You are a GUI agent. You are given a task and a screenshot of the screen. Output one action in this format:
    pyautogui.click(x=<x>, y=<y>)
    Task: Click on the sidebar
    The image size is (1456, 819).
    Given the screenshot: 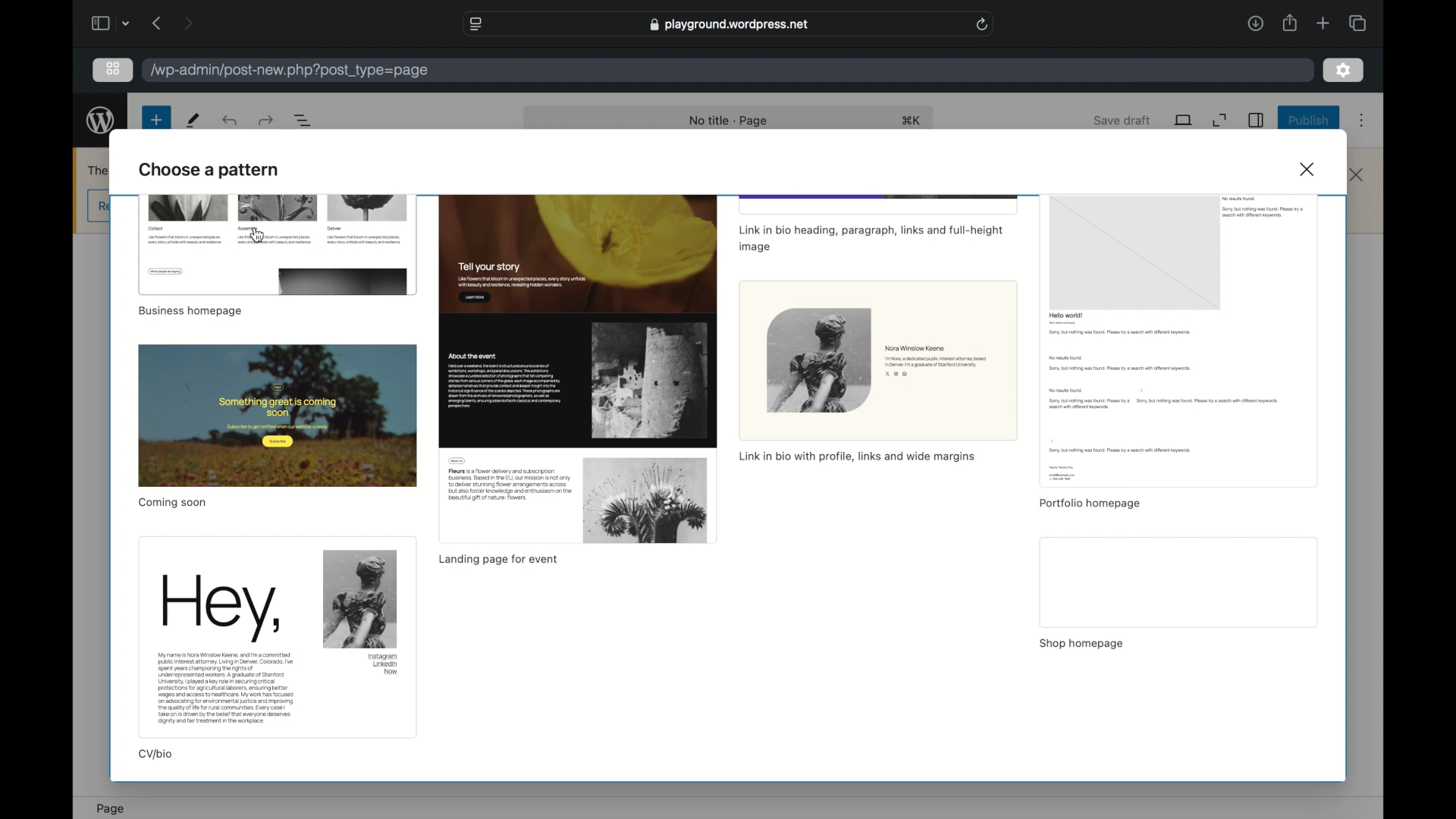 What is the action you would take?
    pyautogui.click(x=1255, y=121)
    